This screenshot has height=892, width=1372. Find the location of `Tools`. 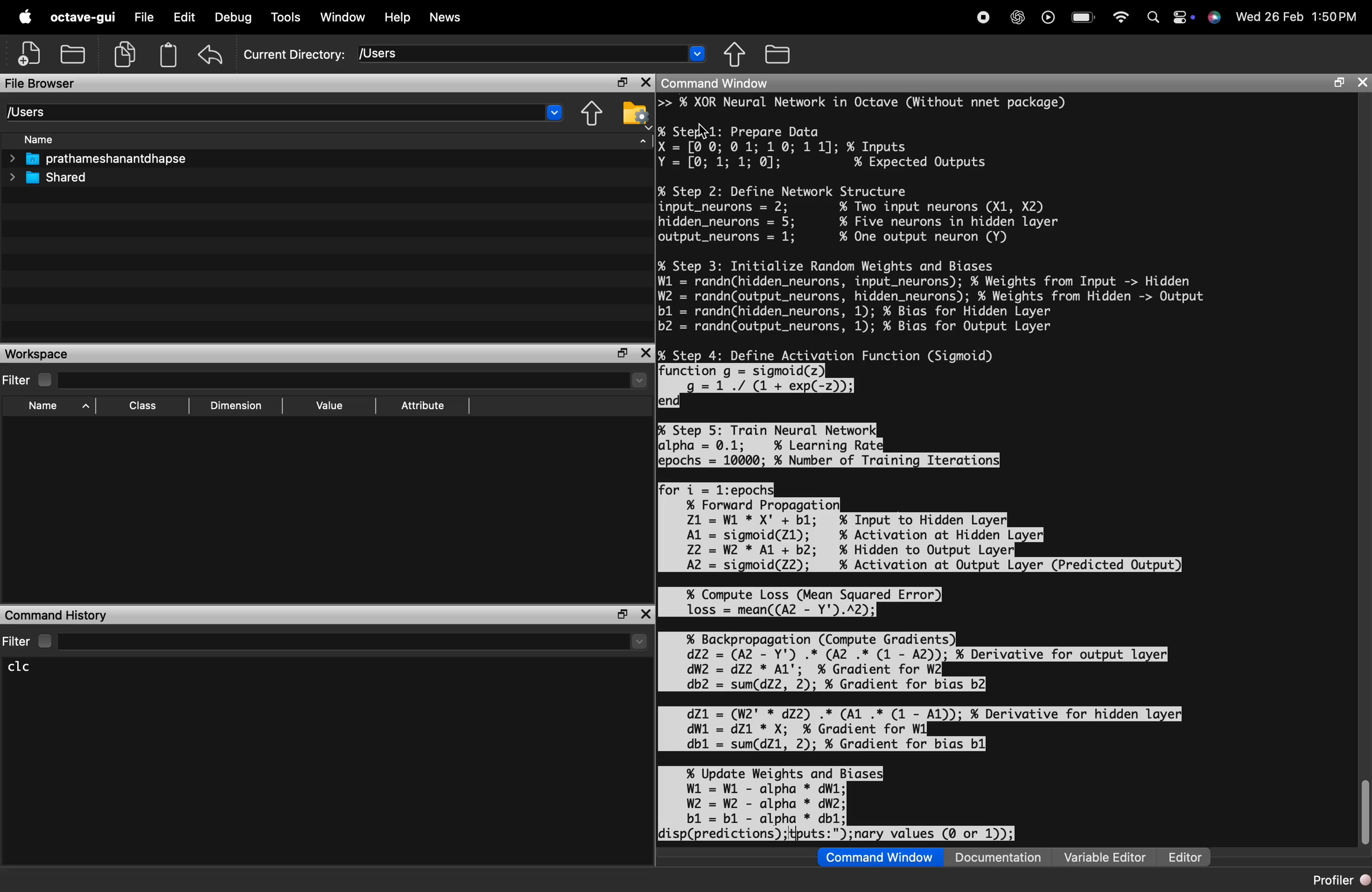

Tools is located at coordinates (287, 18).